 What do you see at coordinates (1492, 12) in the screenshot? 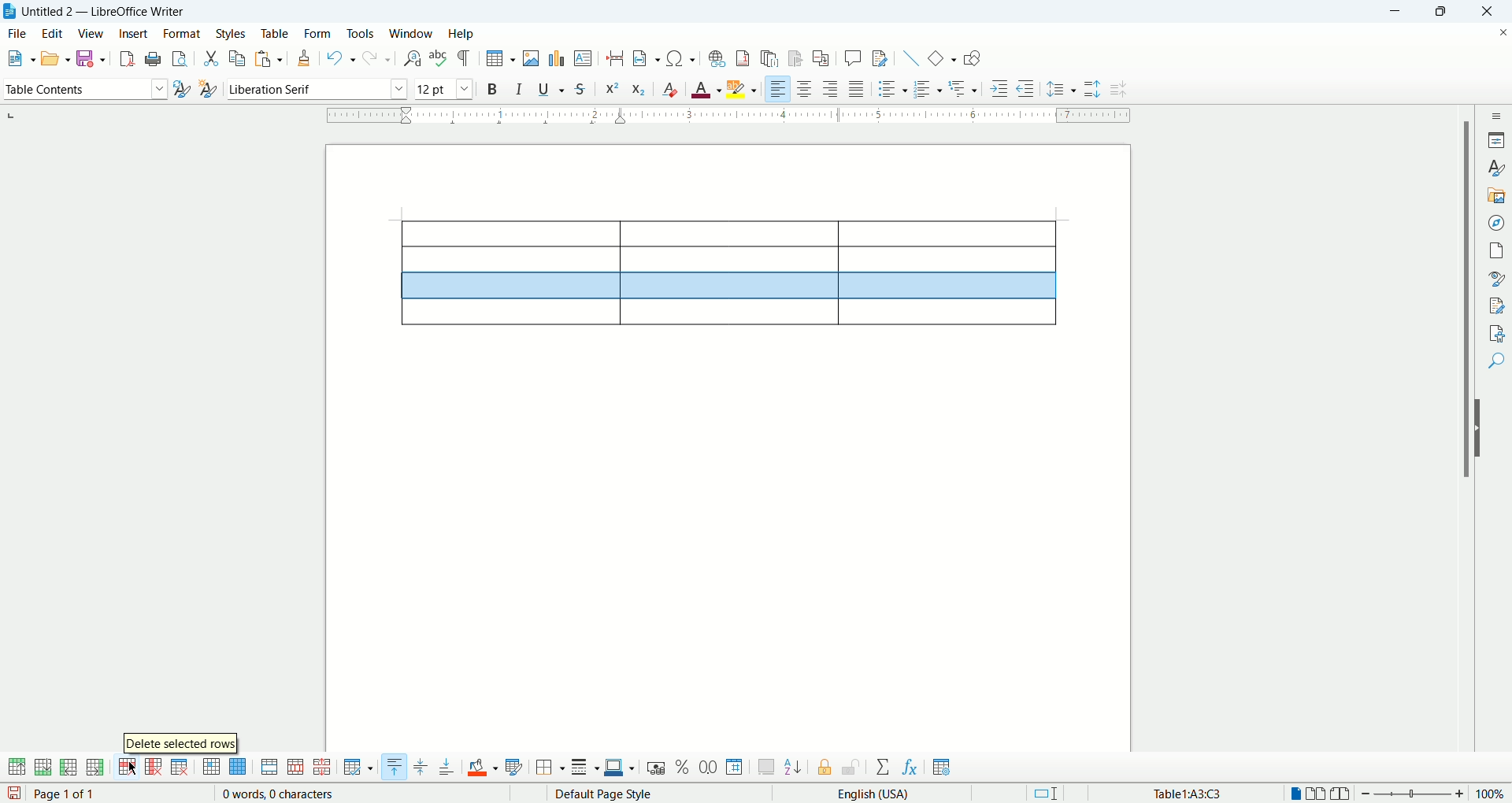
I see `close` at bounding box center [1492, 12].